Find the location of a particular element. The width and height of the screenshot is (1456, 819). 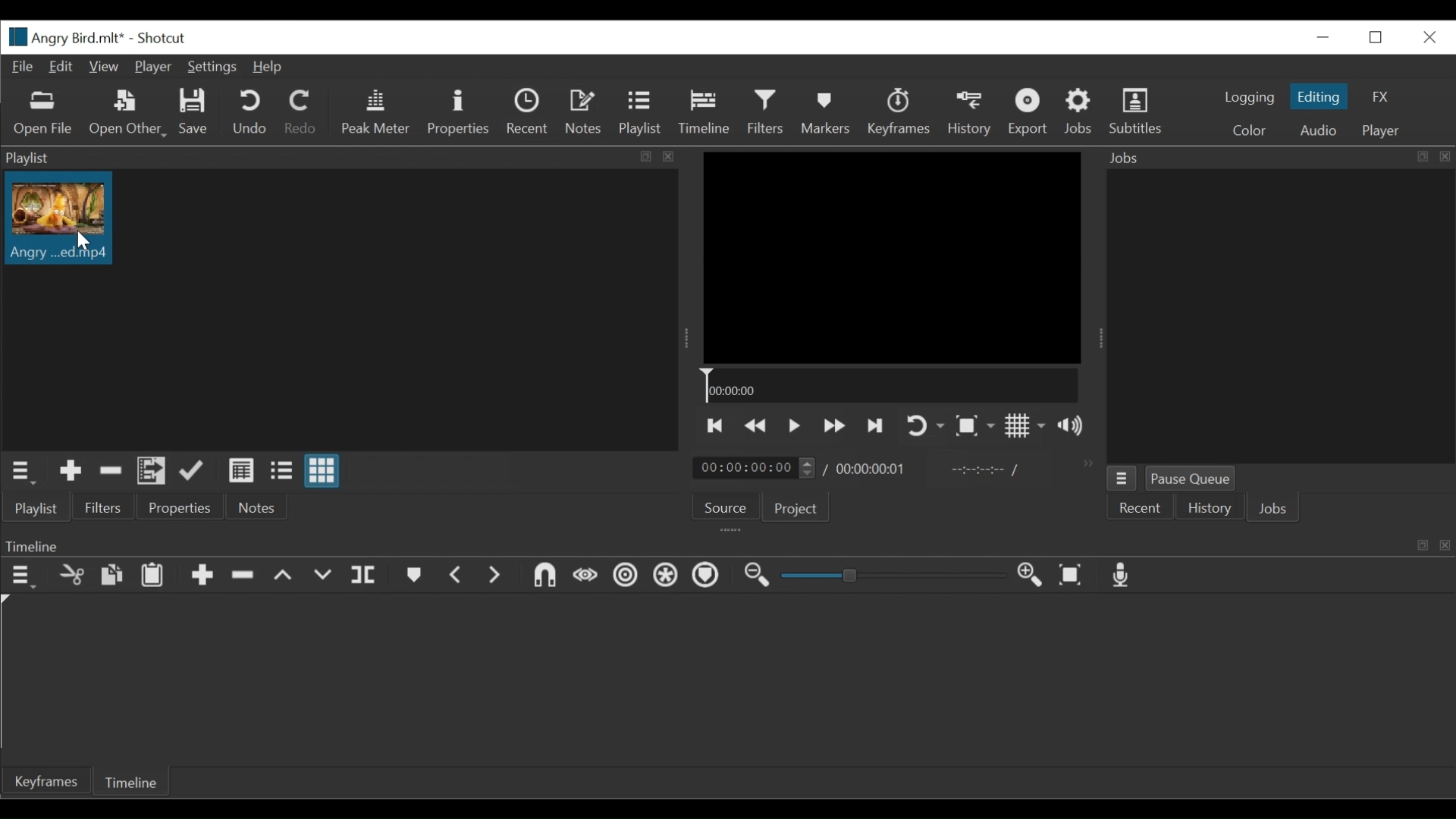

Notes is located at coordinates (584, 110).